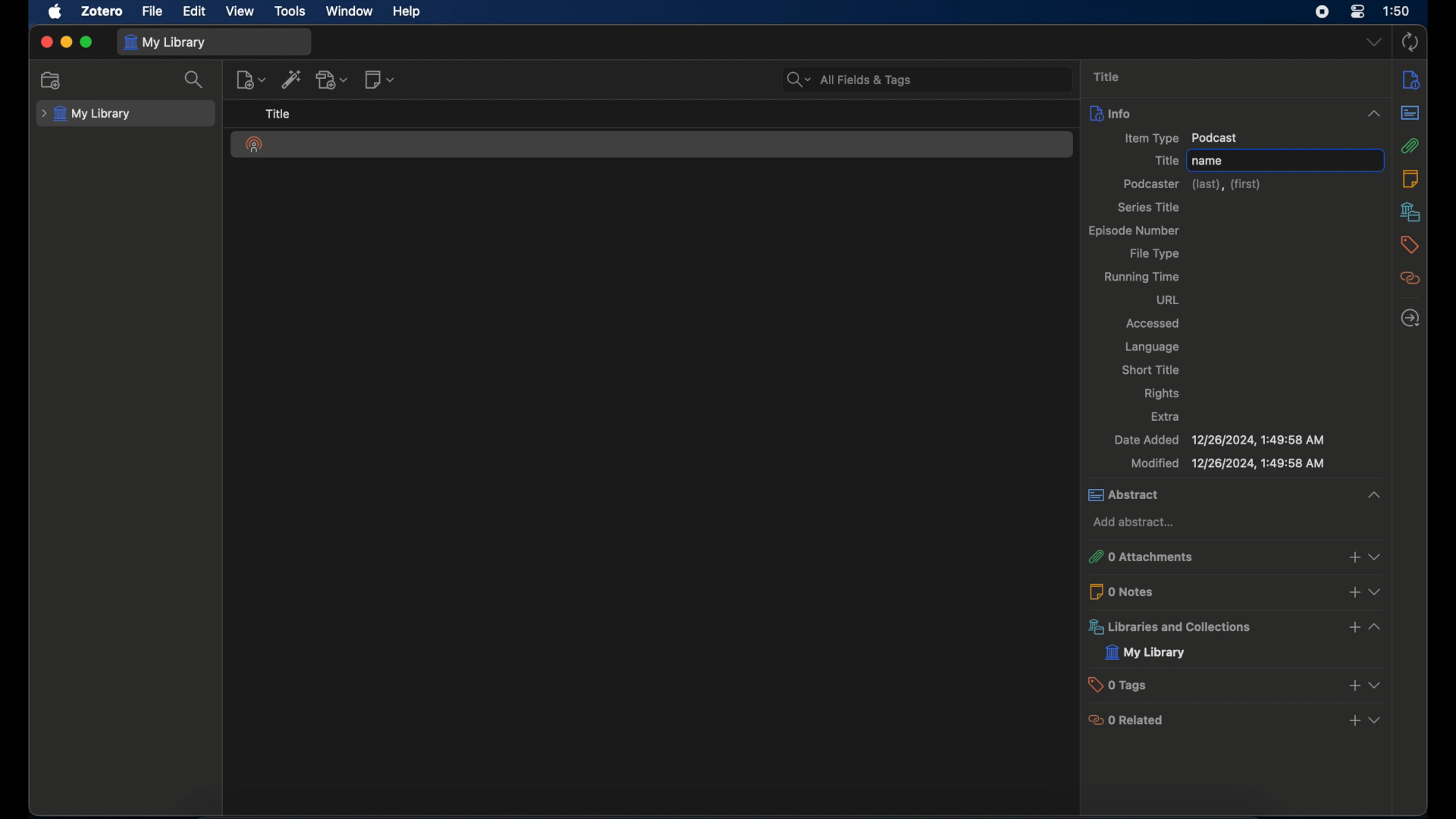 This screenshot has height=819, width=1456. Describe the element at coordinates (1228, 464) in the screenshot. I see `modified 12/26/2024, 1:49:58 AM` at that location.